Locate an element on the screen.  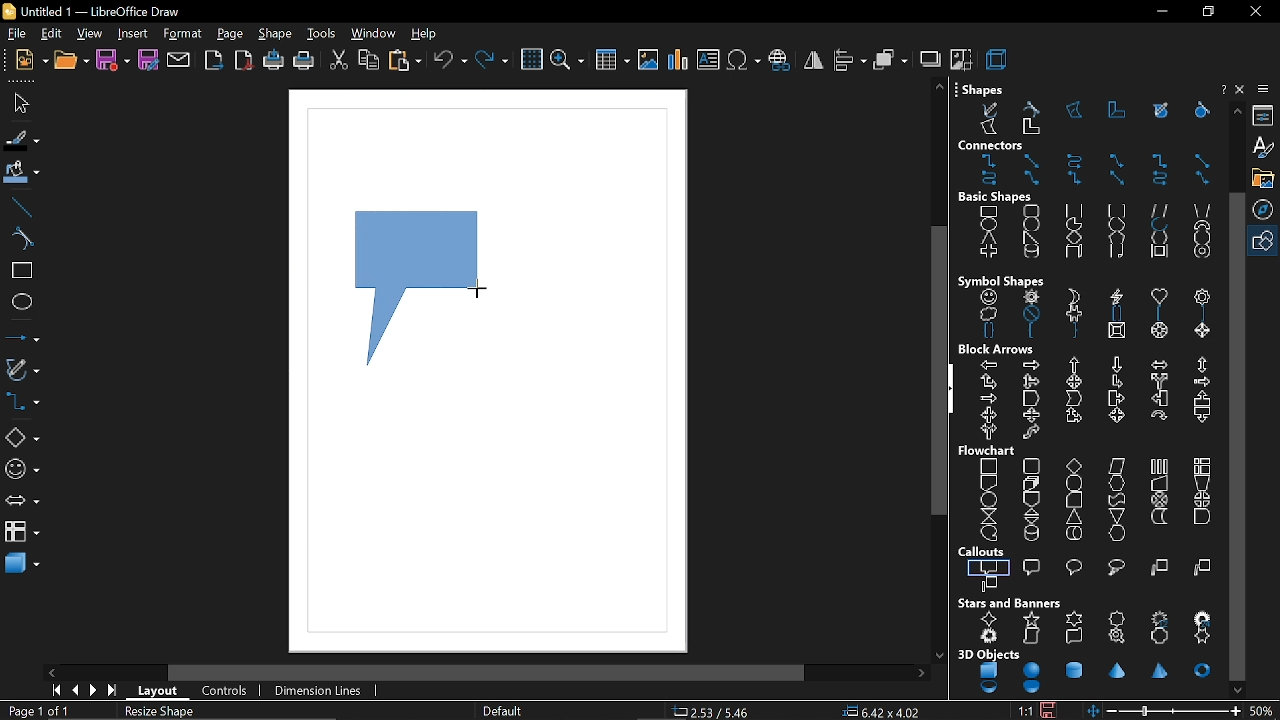
folded corner is located at coordinates (1114, 253).